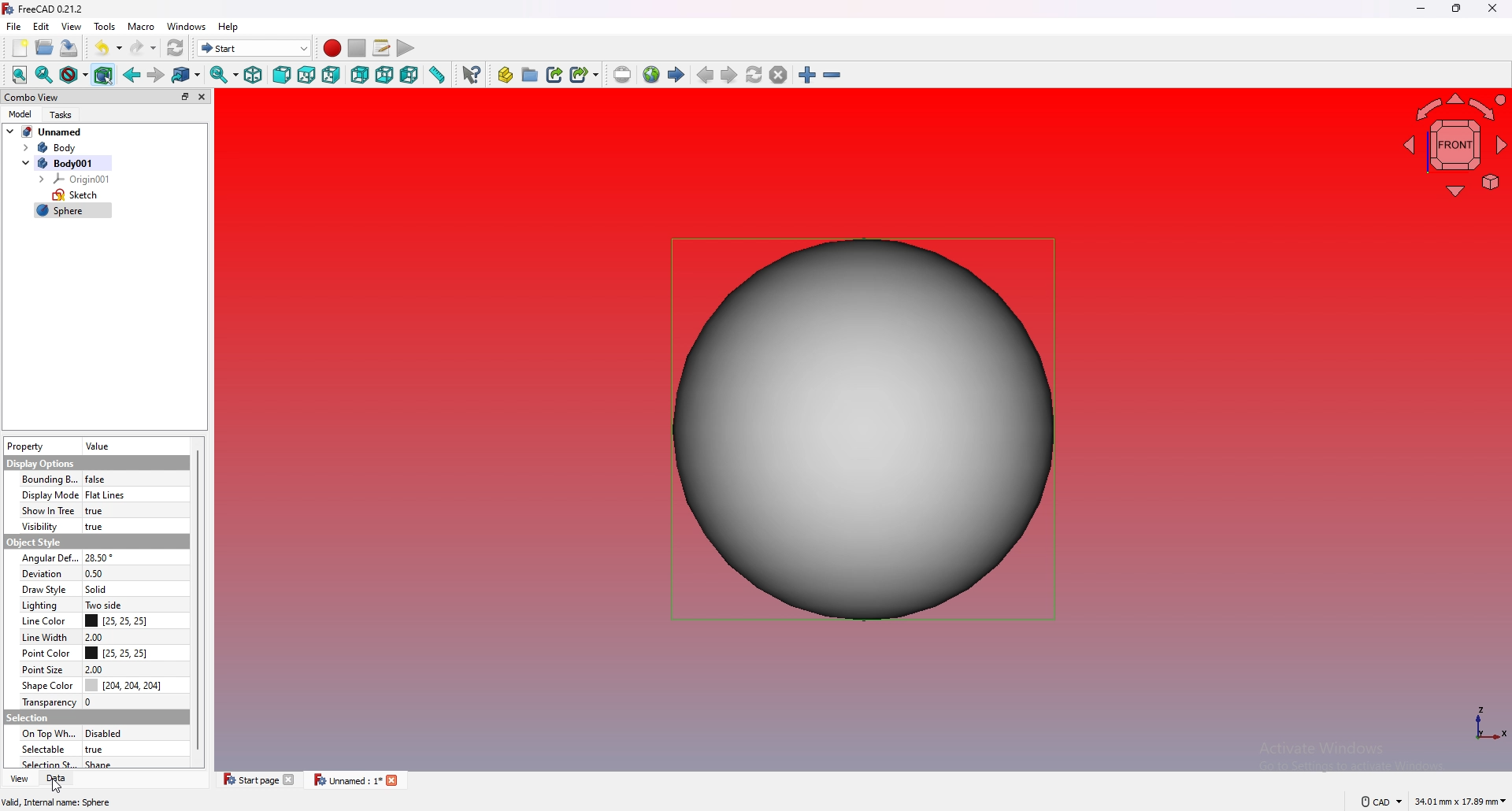  I want to click on rear, so click(360, 74).